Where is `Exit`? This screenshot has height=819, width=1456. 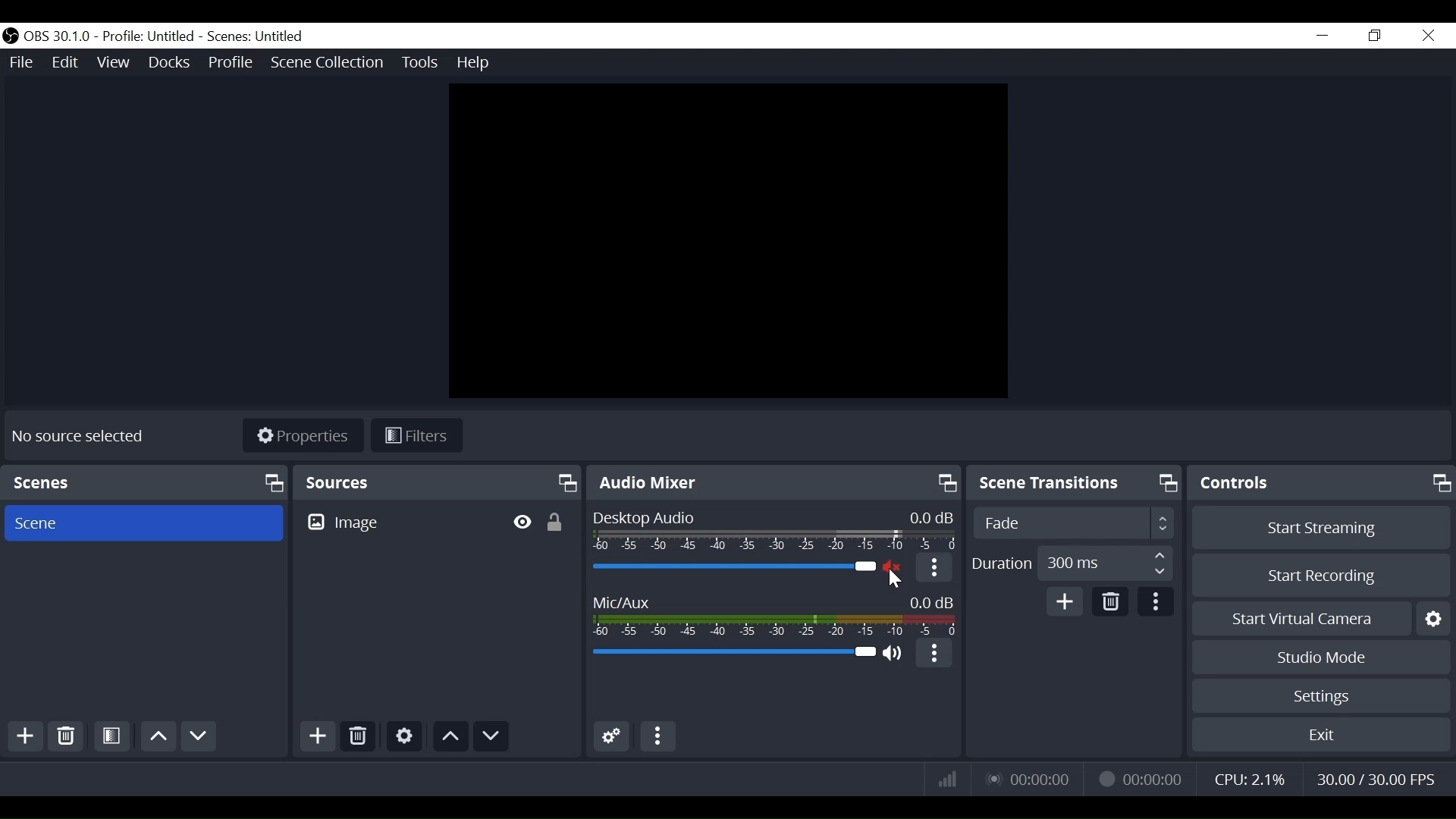
Exit is located at coordinates (1319, 734).